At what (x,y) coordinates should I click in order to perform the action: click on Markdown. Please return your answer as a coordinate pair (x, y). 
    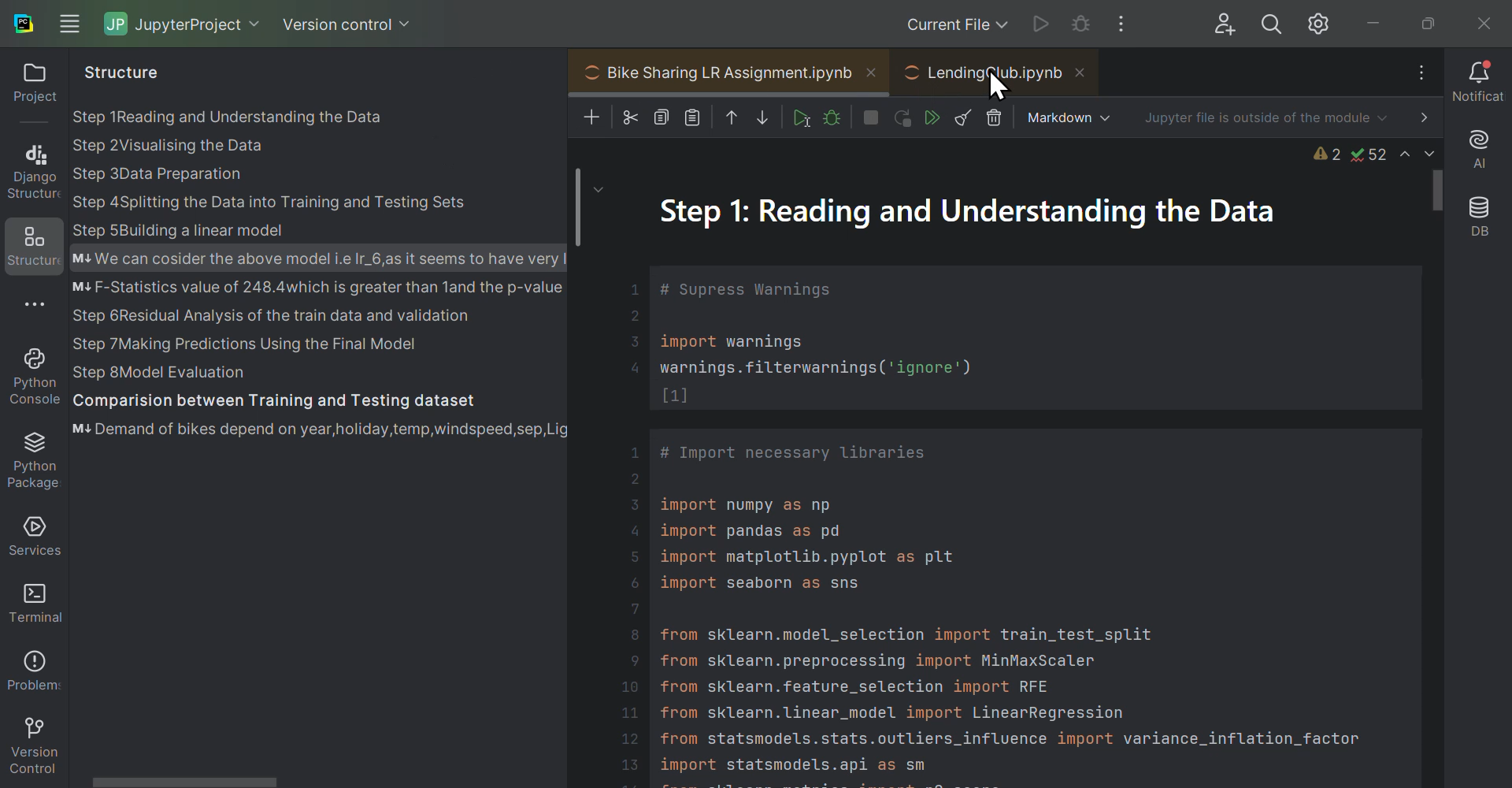
    Looking at the image, I should click on (1069, 118).